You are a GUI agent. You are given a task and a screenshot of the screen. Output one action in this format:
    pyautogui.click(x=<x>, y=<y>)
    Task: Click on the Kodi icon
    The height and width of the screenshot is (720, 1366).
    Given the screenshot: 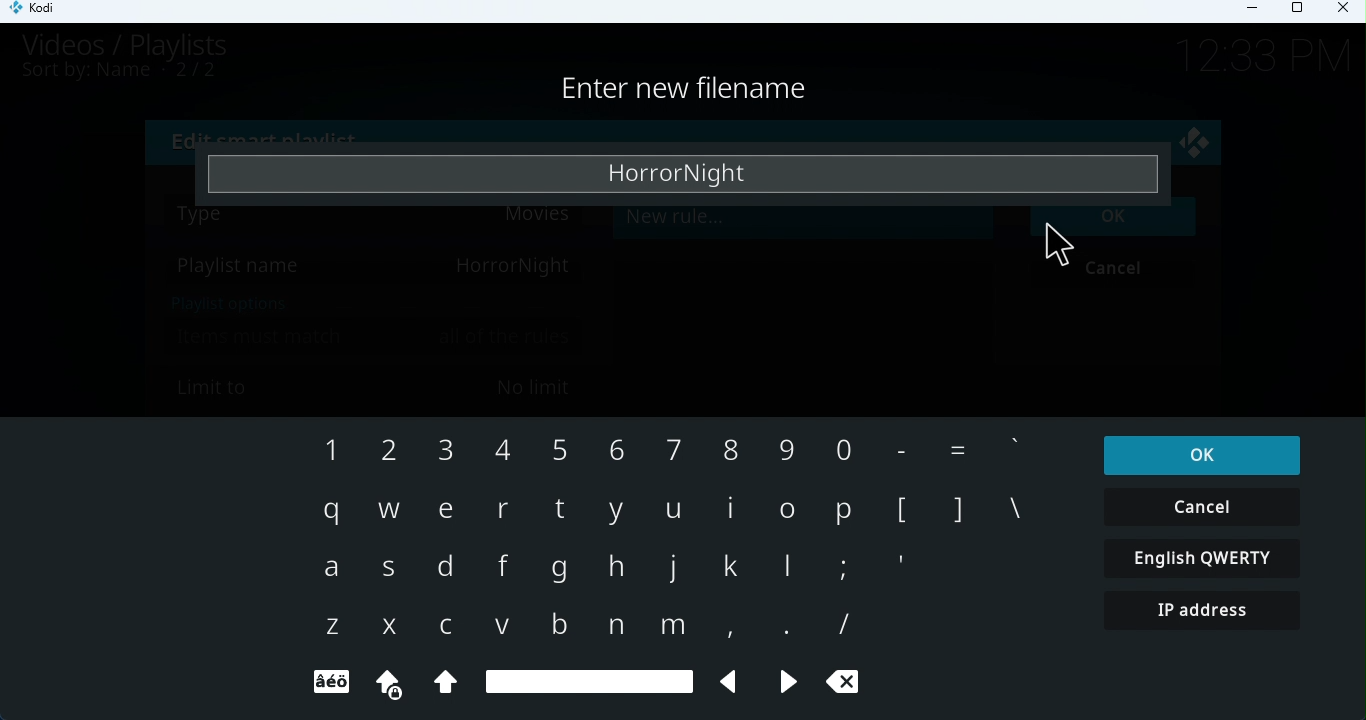 What is the action you would take?
    pyautogui.click(x=40, y=12)
    